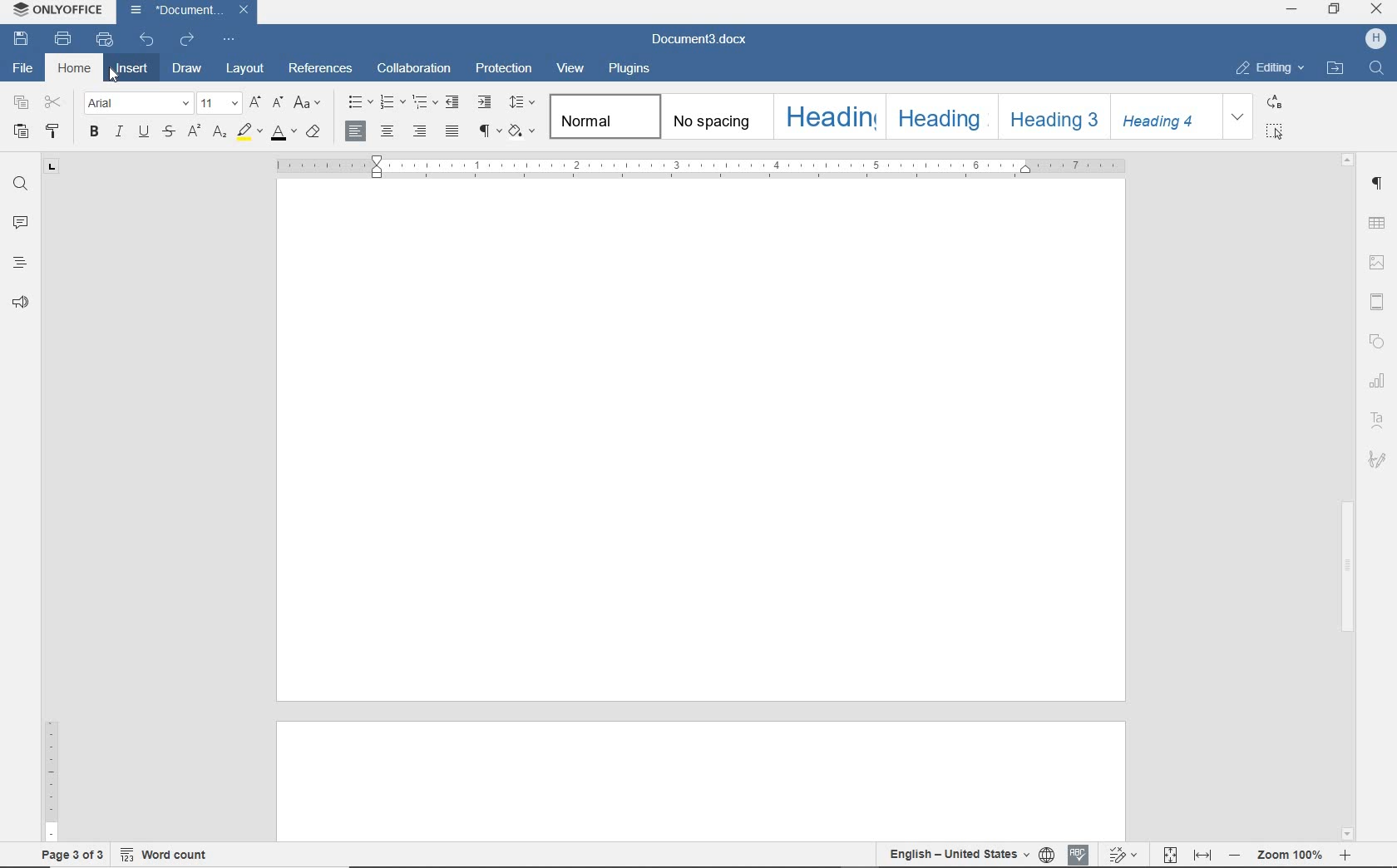 This screenshot has width=1397, height=868. I want to click on Read aloud and accessibility, so click(22, 303).